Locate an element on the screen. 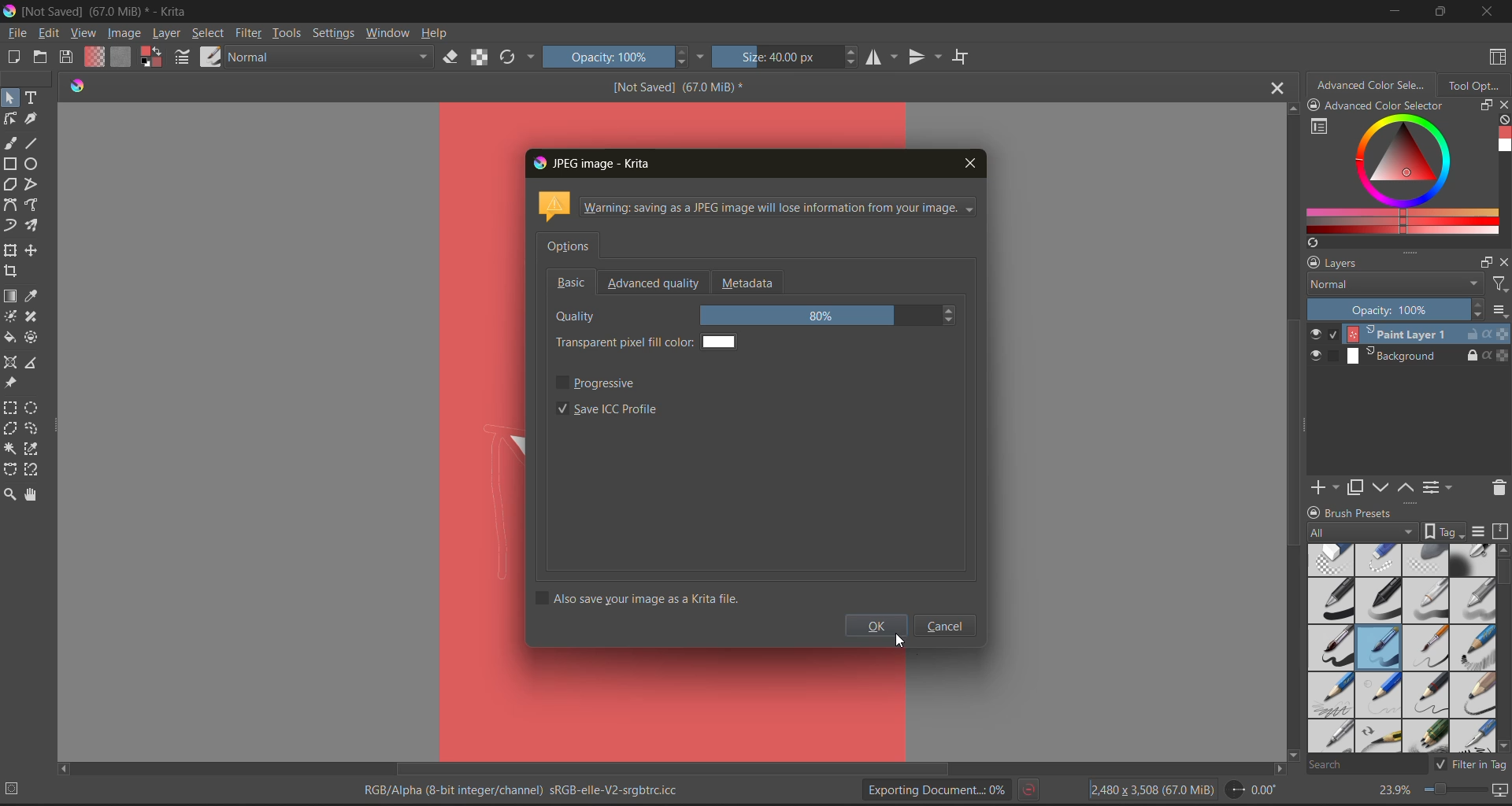  close is located at coordinates (971, 163).